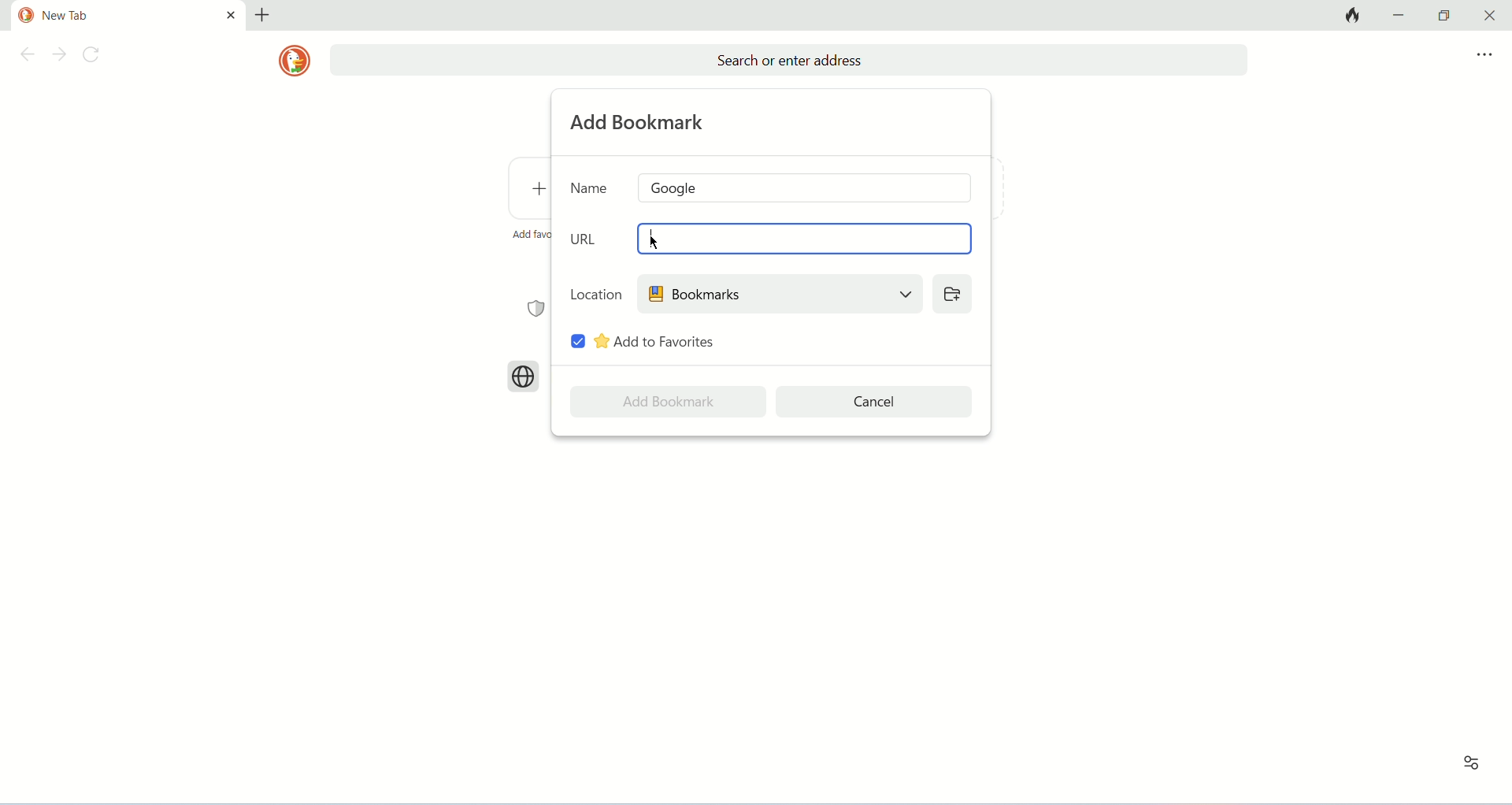 The image size is (1512, 805). I want to click on cancel, so click(876, 402).